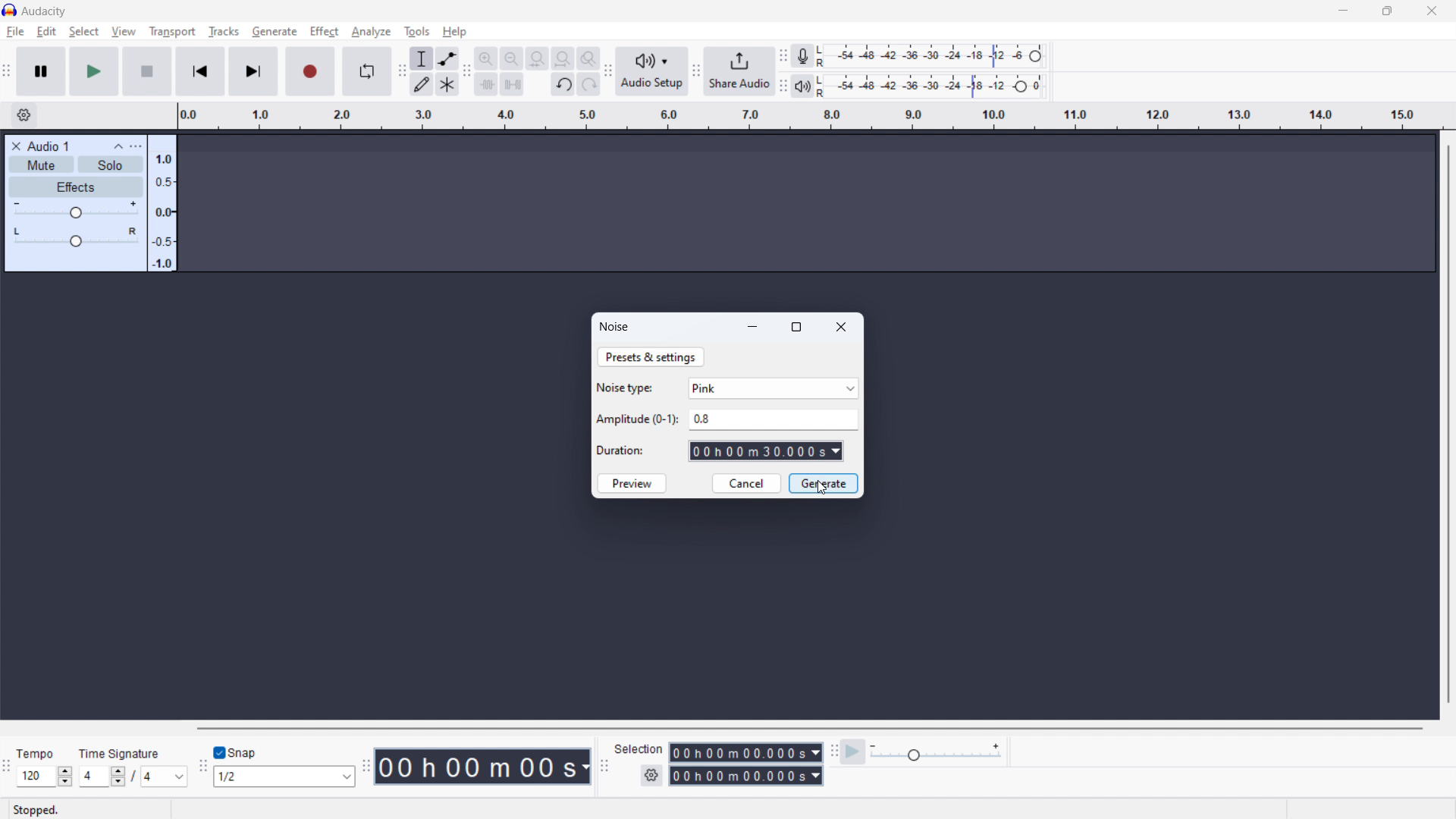 The image size is (1456, 819). I want to click on amplitude, so click(162, 204).